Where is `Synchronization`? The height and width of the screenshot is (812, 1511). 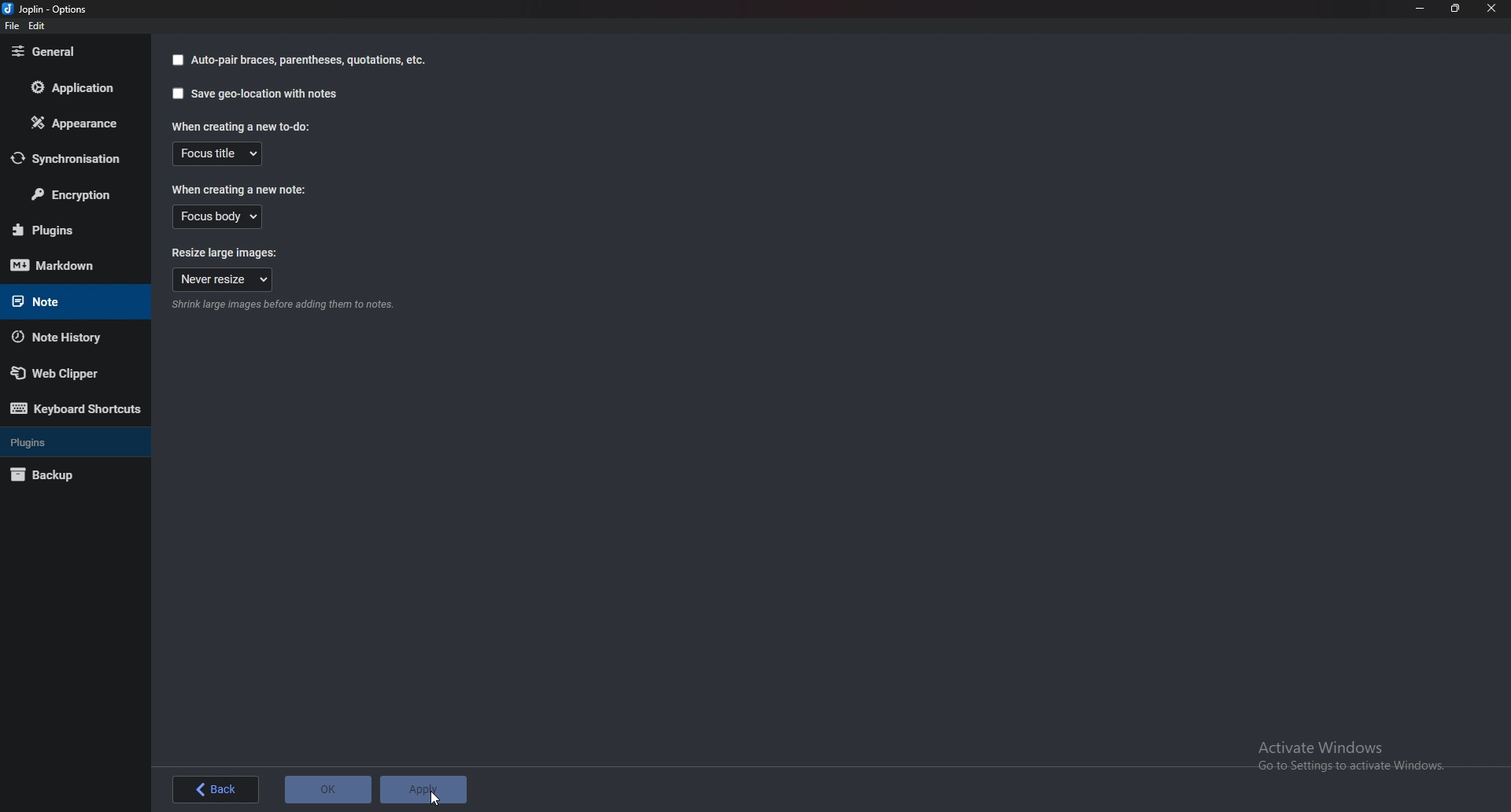
Synchronization is located at coordinates (73, 158).